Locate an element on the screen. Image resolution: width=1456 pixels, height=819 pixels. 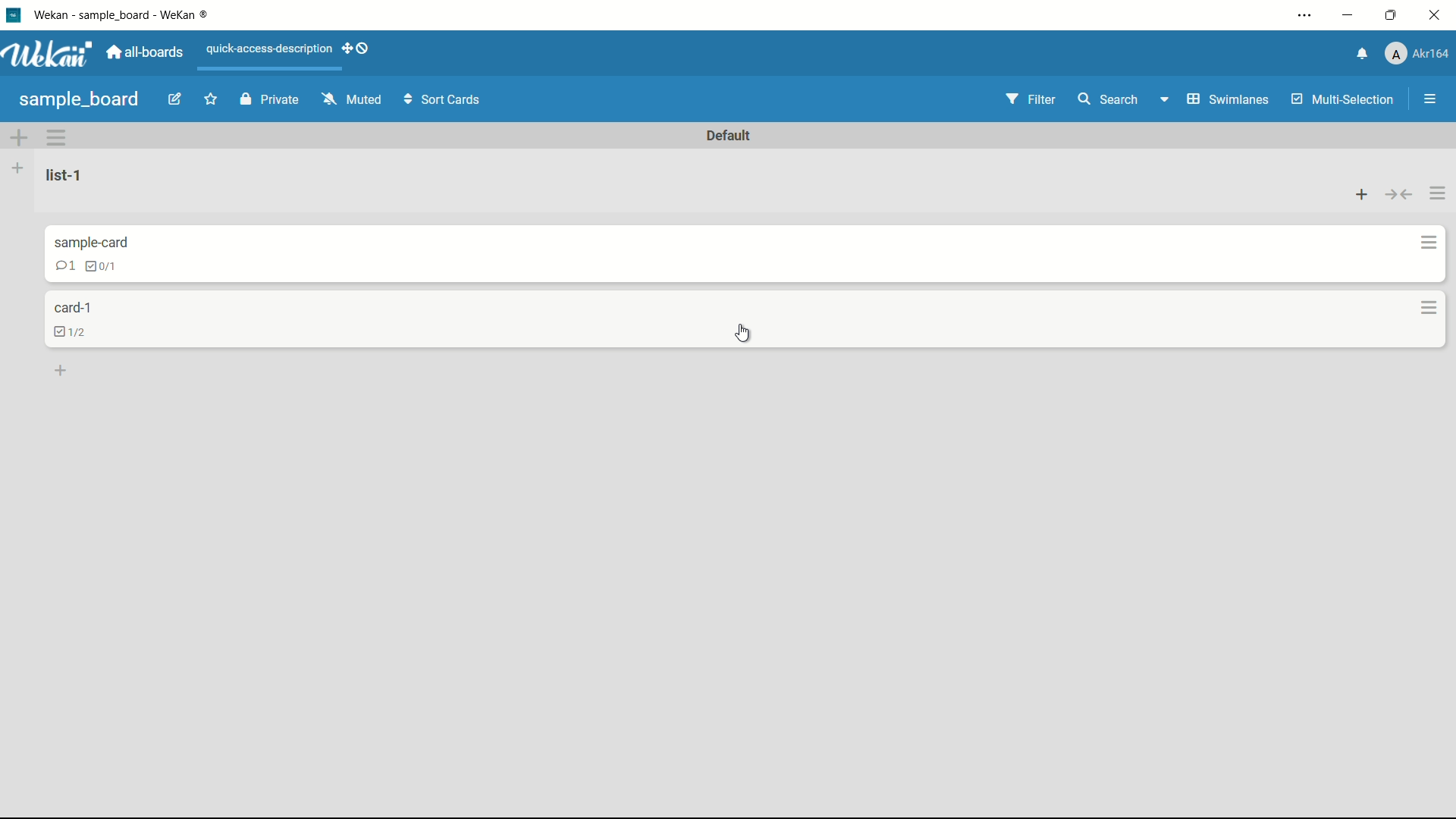
card actions is located at coordinates (1425, 306).